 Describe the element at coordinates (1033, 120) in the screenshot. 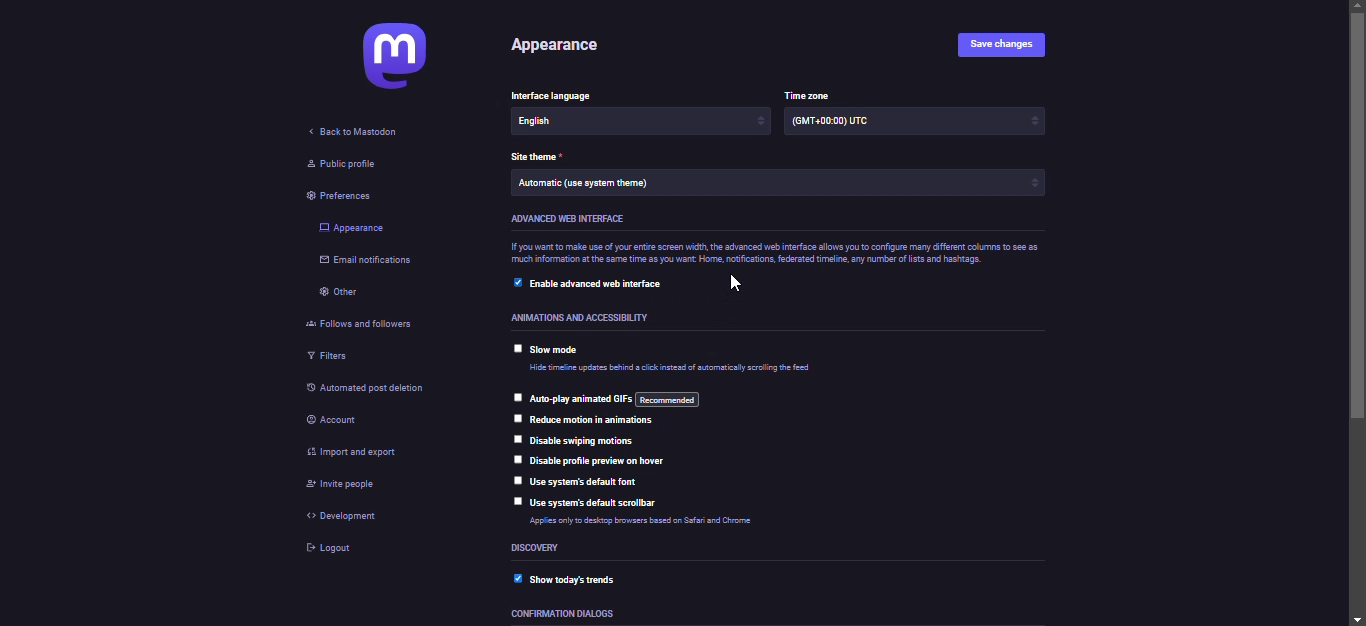

I see `increase/decrease arrows` at that location.